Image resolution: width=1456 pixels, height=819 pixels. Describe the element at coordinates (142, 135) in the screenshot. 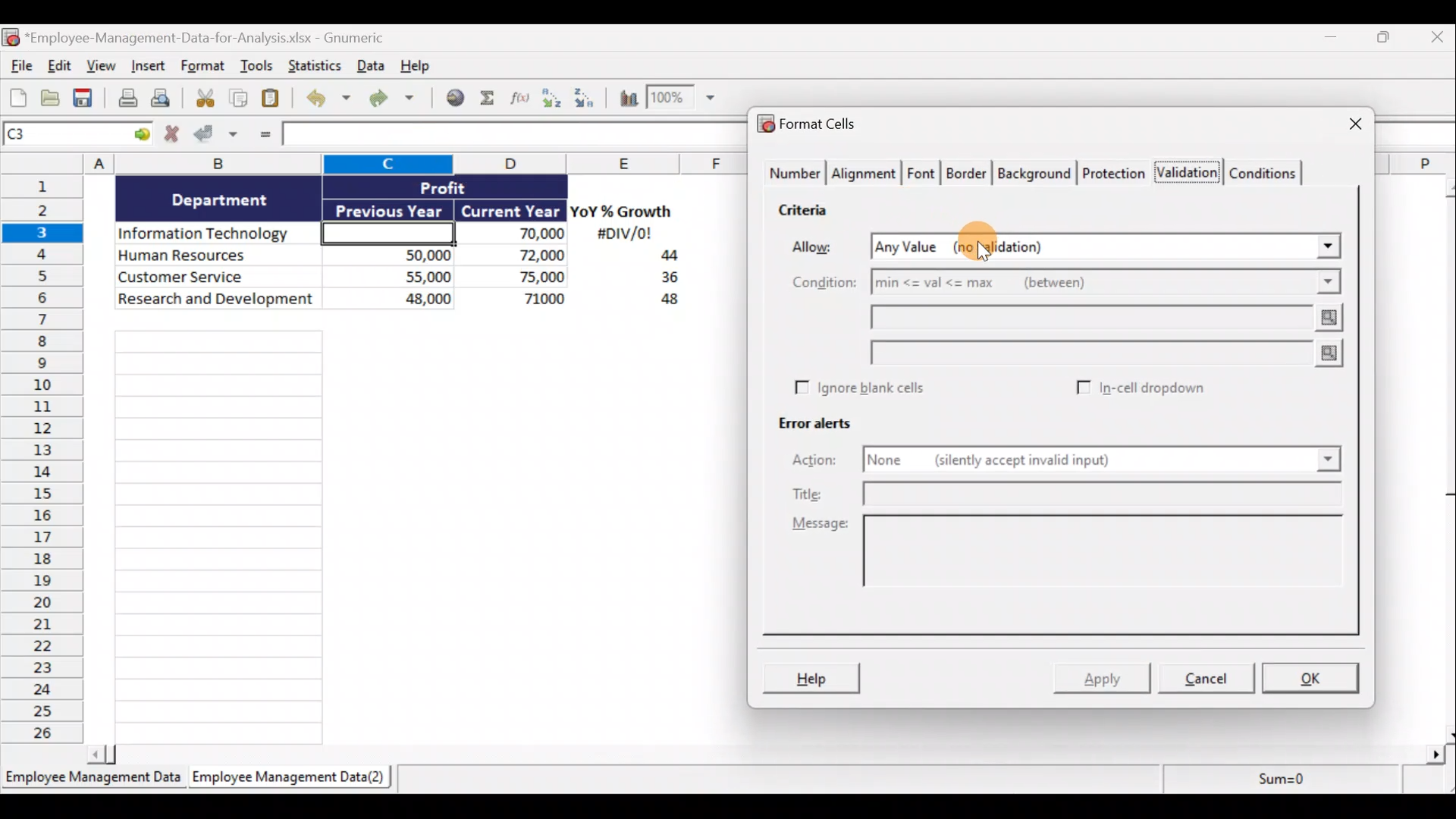

I see `Go to` at that location.